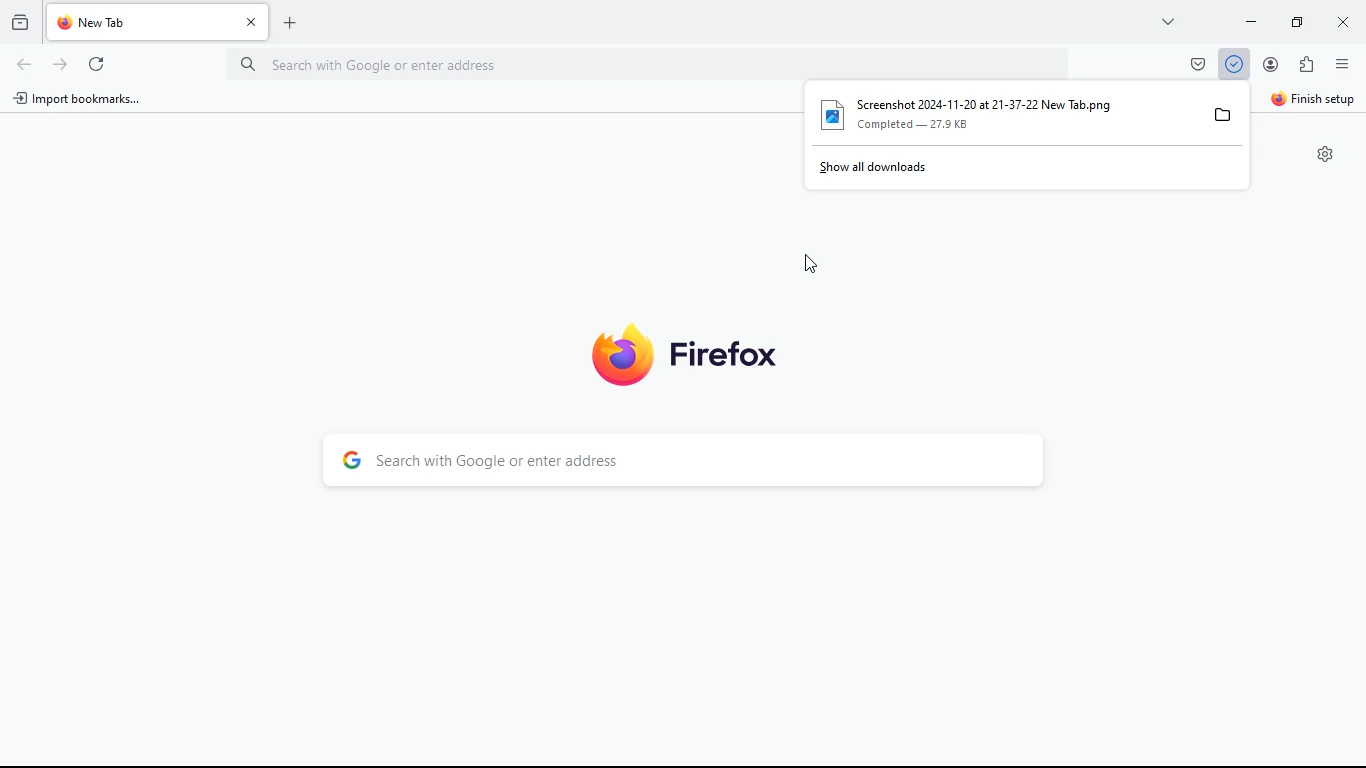 This screenshot has width=1366, height=768. I want to click on import bookmarks, so click(83, 100).